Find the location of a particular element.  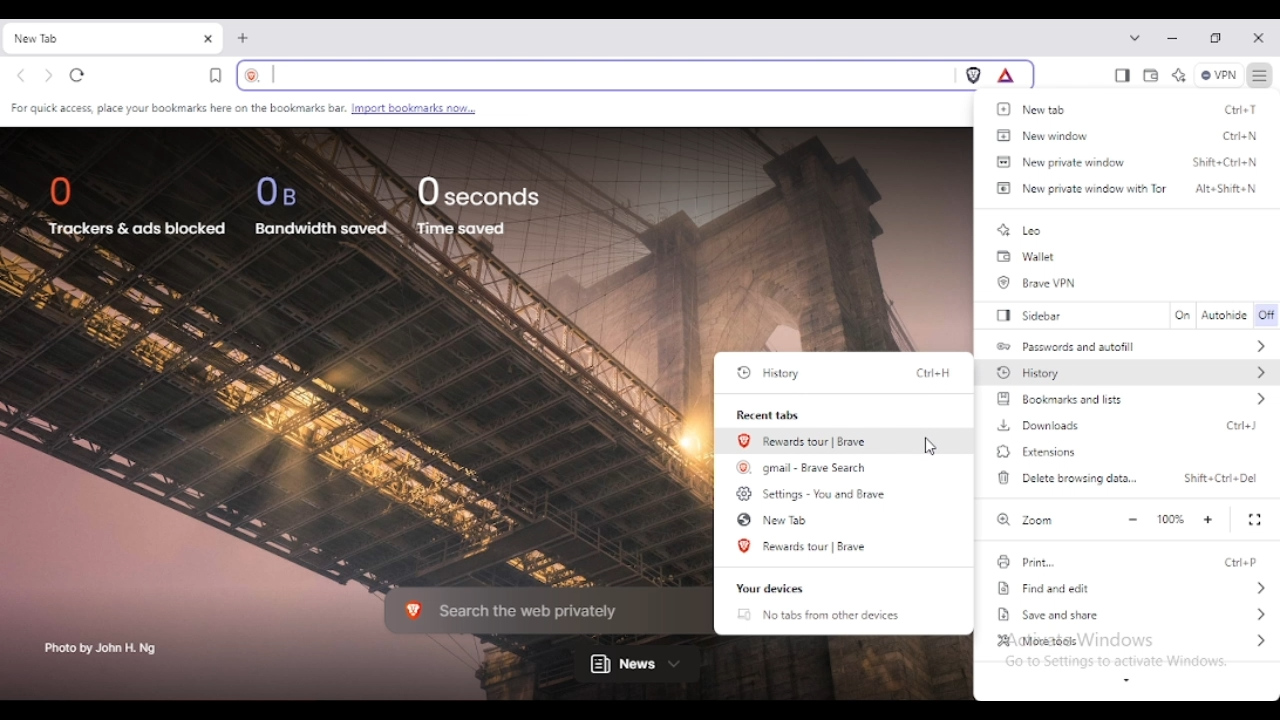

new private window with Tor is located at coordinates (1079, 188).